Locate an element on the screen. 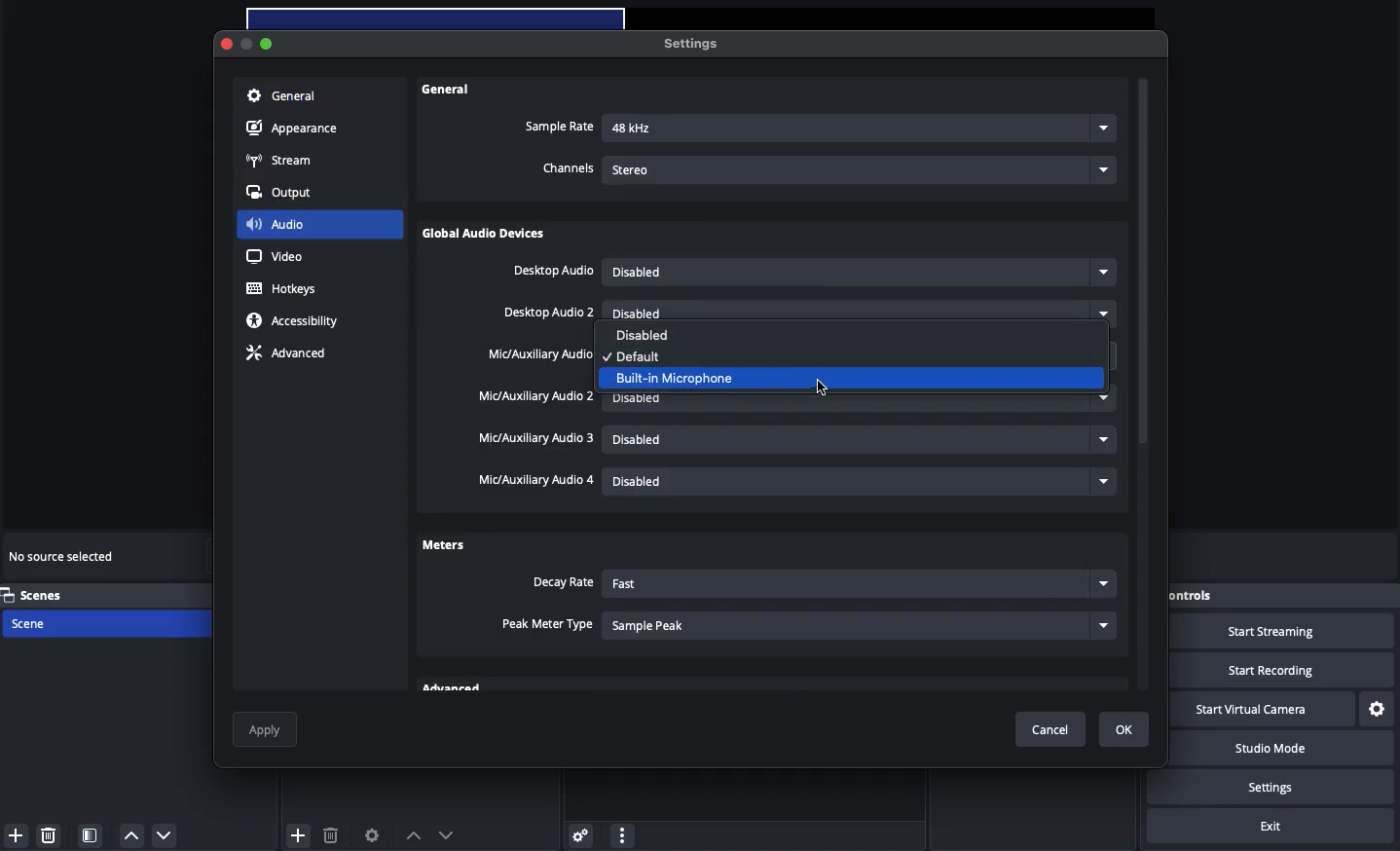 Image resolution: width=1400 pixels, height=851 pixels. Settings is located at coordinates (1287, 787).